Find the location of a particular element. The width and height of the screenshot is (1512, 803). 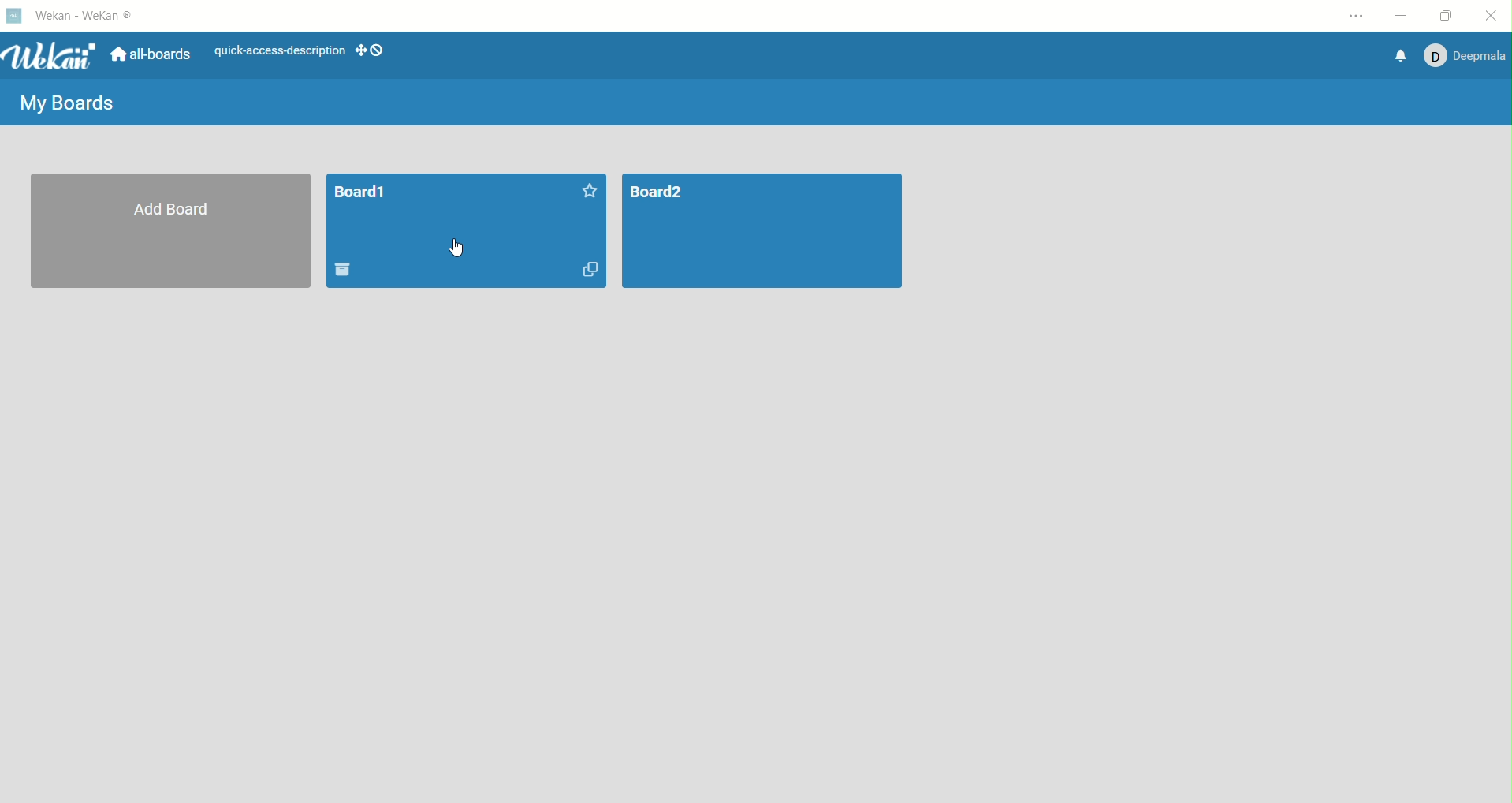

text is located at coordinates (274, 51).